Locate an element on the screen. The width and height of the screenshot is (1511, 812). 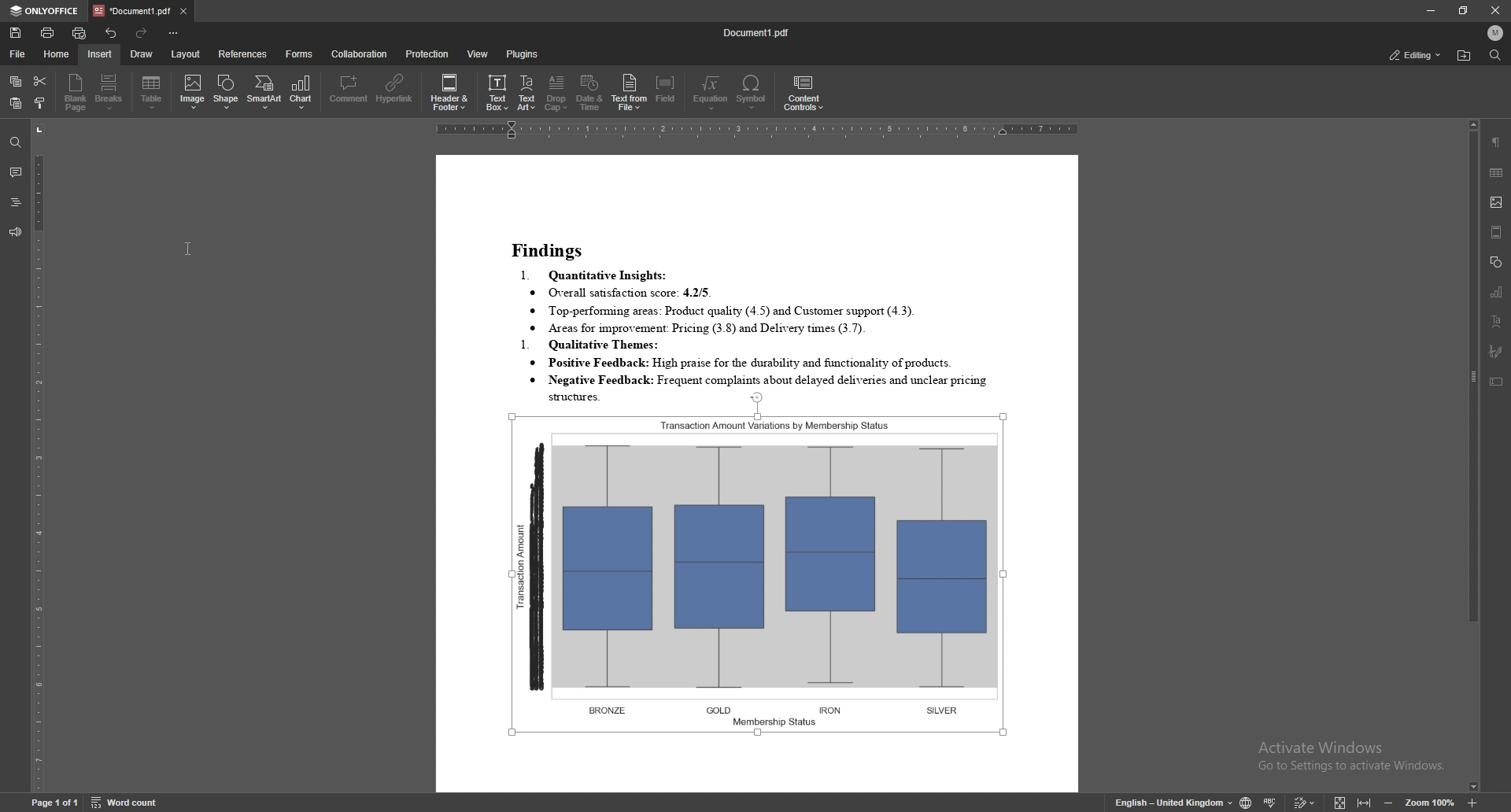
file name is located at coordinates (757, 32).